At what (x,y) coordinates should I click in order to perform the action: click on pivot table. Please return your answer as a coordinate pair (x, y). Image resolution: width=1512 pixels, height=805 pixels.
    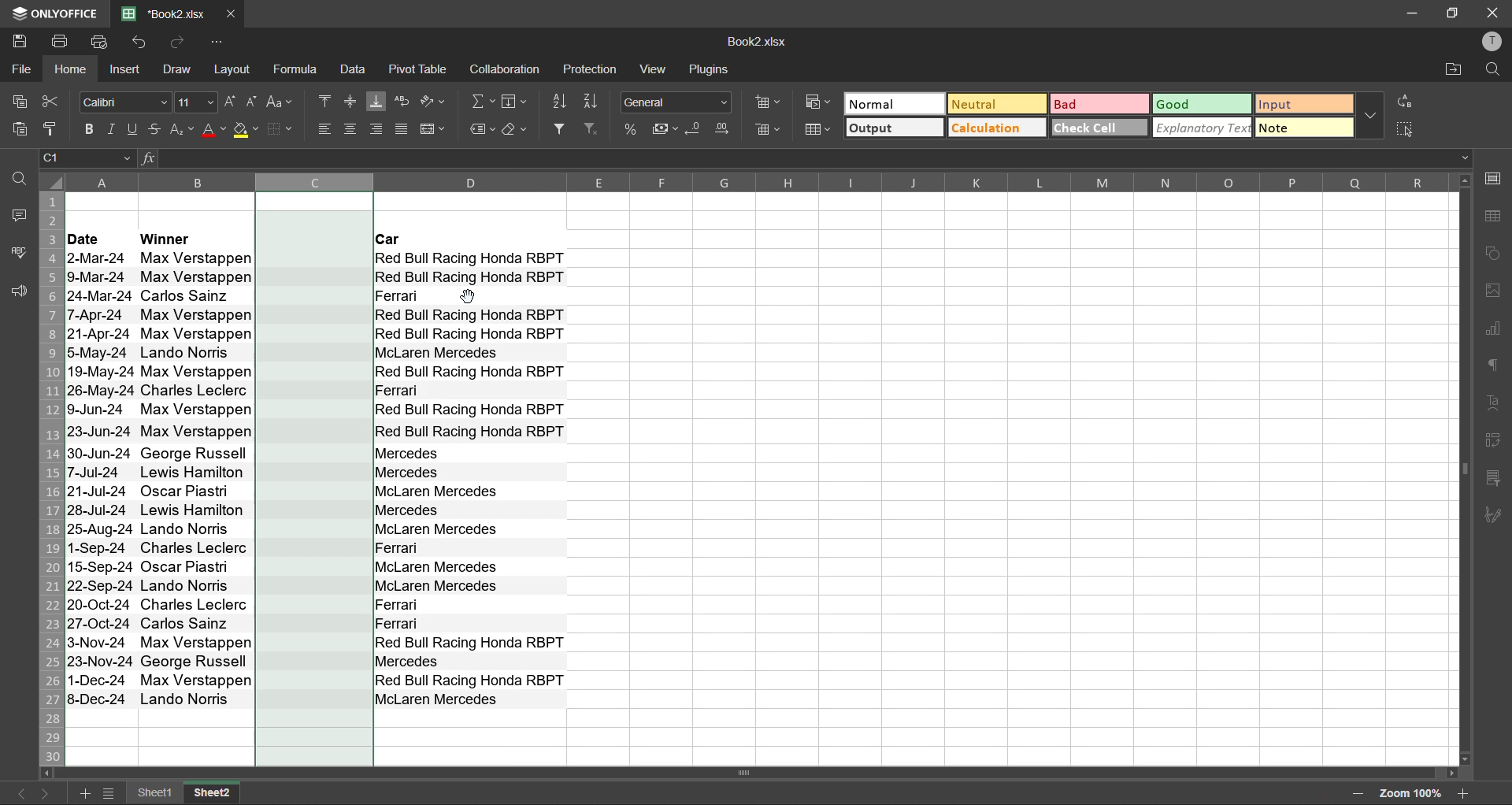
    Looking at the image, I should click on (1492, 443).